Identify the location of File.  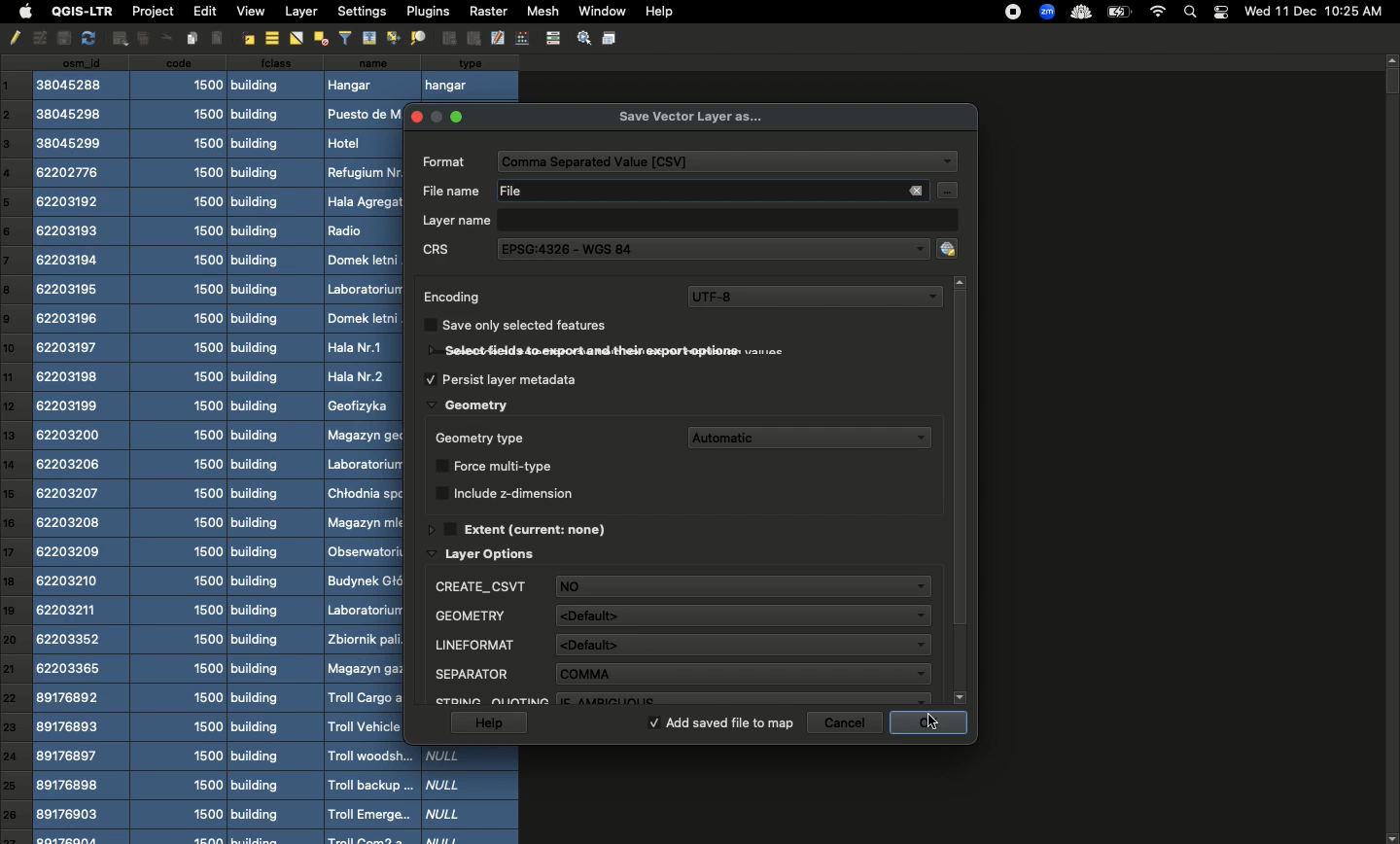
(717, 192).